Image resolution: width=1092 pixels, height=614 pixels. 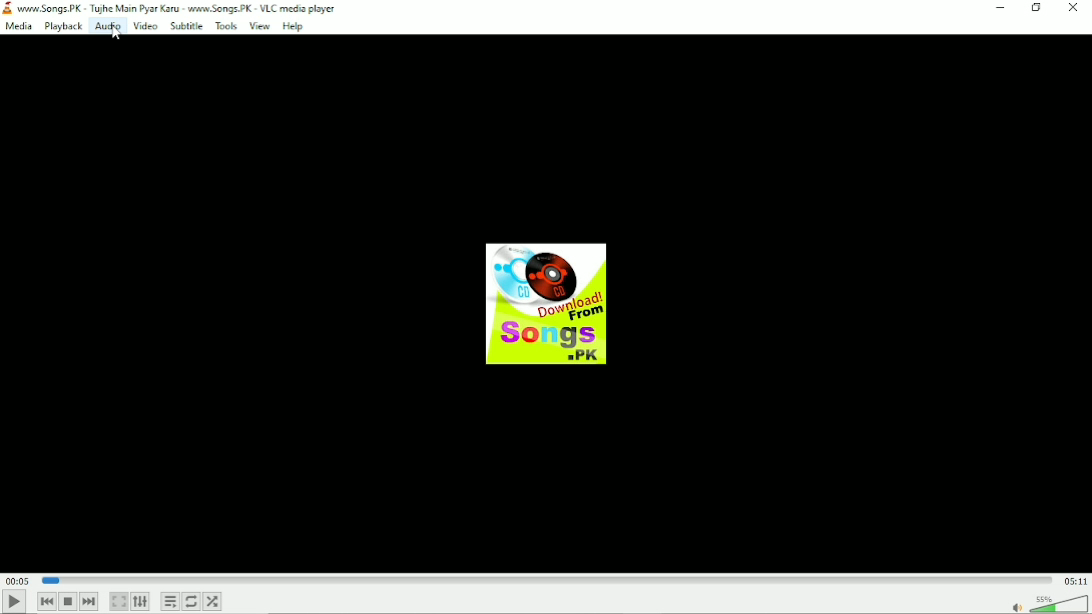 I want to click on Stop playback, so click(x=67, y=601).